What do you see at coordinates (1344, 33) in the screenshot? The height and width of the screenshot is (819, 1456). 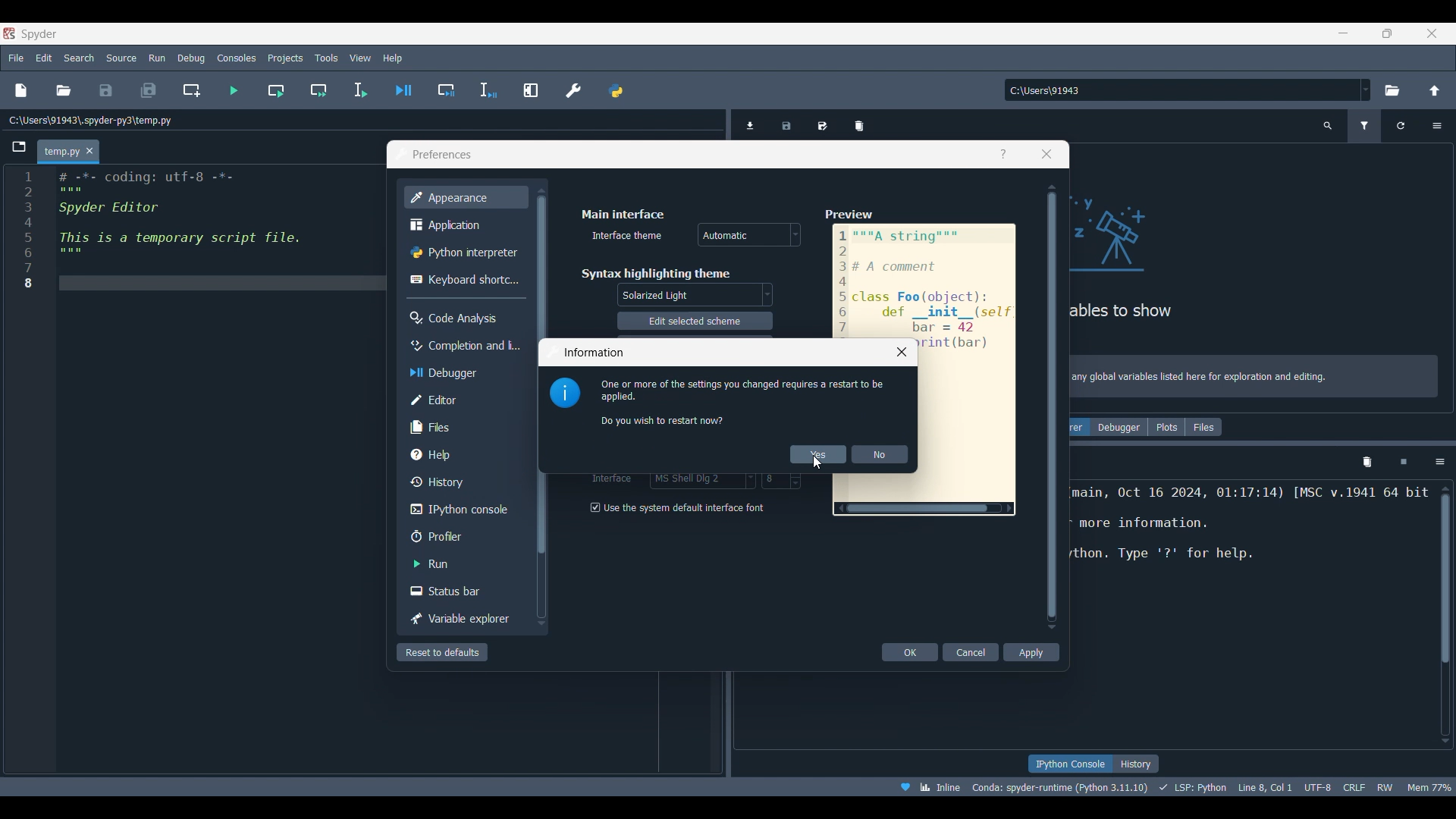 I see `Minimize` at bounding box center [1344, 33].